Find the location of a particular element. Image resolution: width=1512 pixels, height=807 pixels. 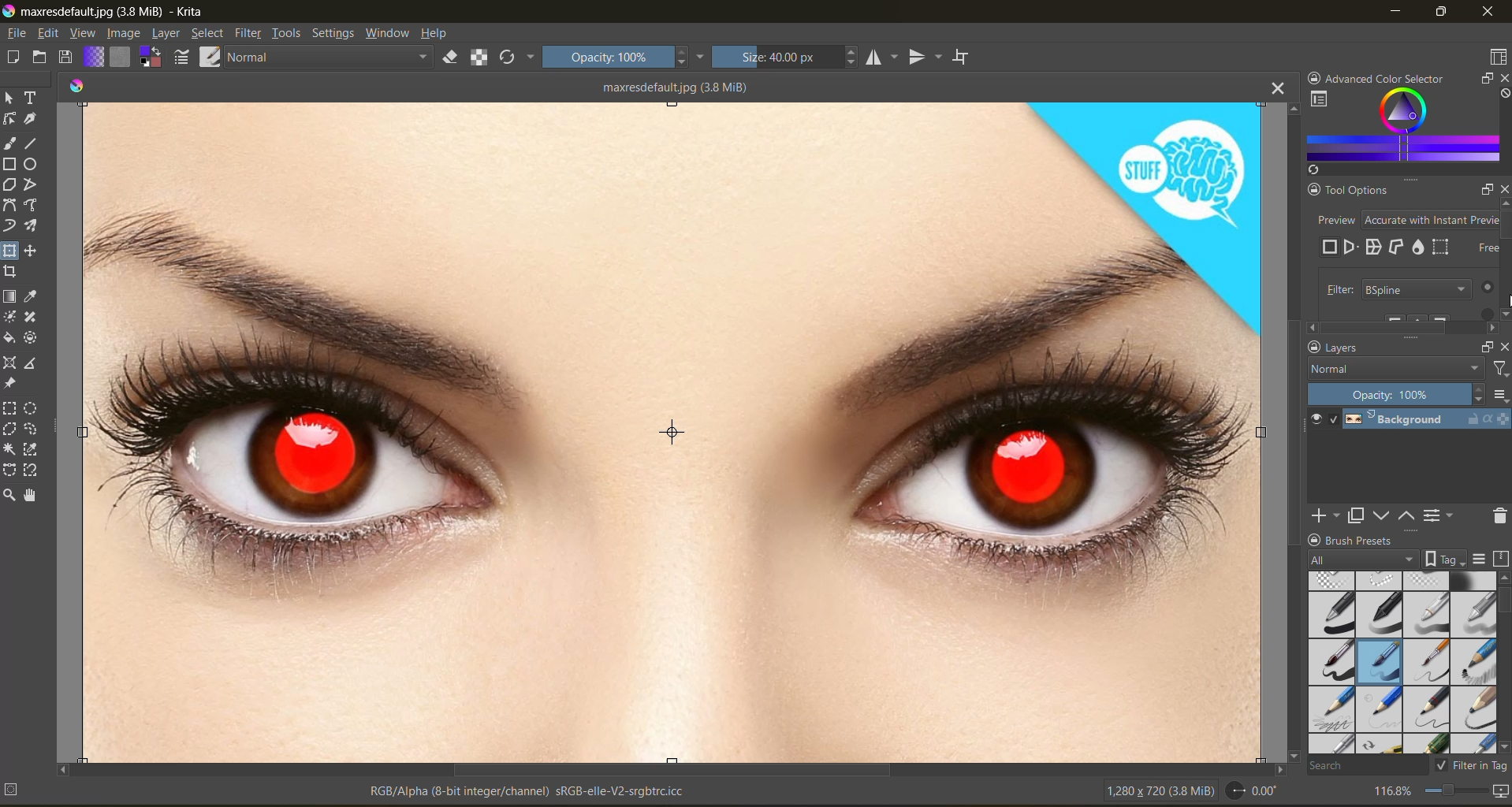

map the canvas is located at coordinates (1502, 792).